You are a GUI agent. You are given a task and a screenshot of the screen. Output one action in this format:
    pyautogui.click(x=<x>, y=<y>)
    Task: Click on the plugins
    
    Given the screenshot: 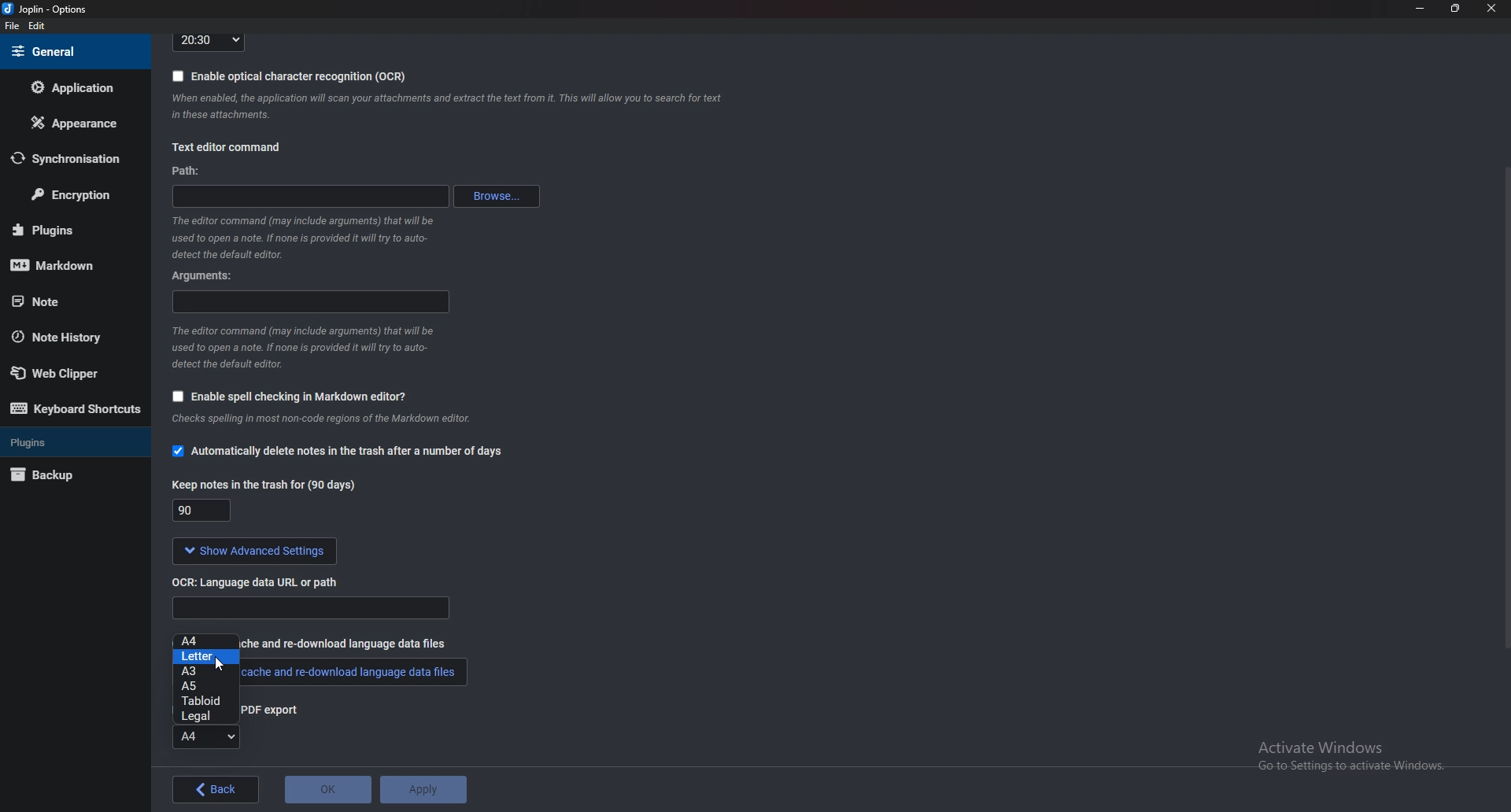 What is the action you would take?
    pyautogui.click(x=68, y=230)
    